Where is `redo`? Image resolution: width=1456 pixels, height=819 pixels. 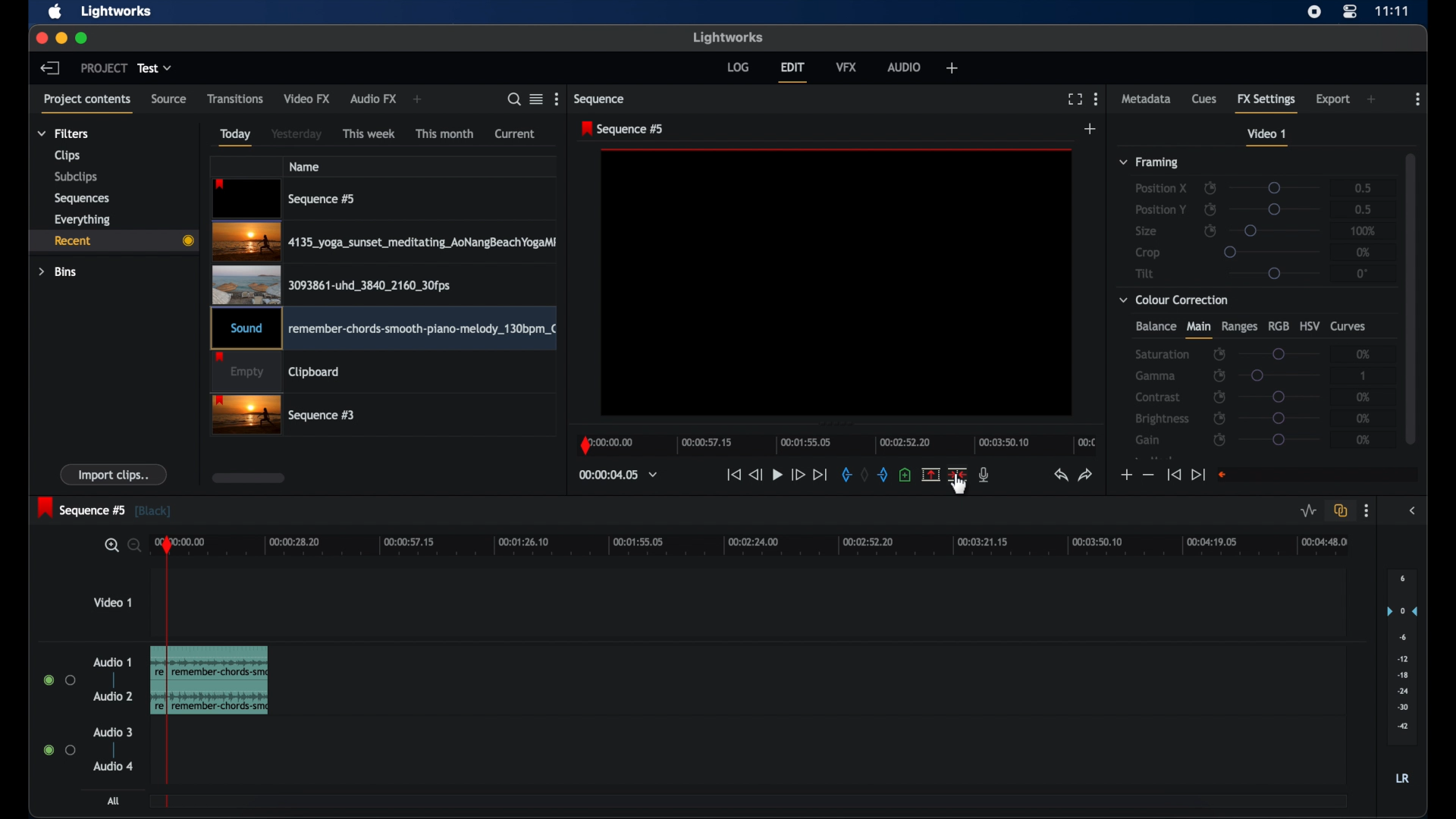
redo is located at coordinates (1086, 475).